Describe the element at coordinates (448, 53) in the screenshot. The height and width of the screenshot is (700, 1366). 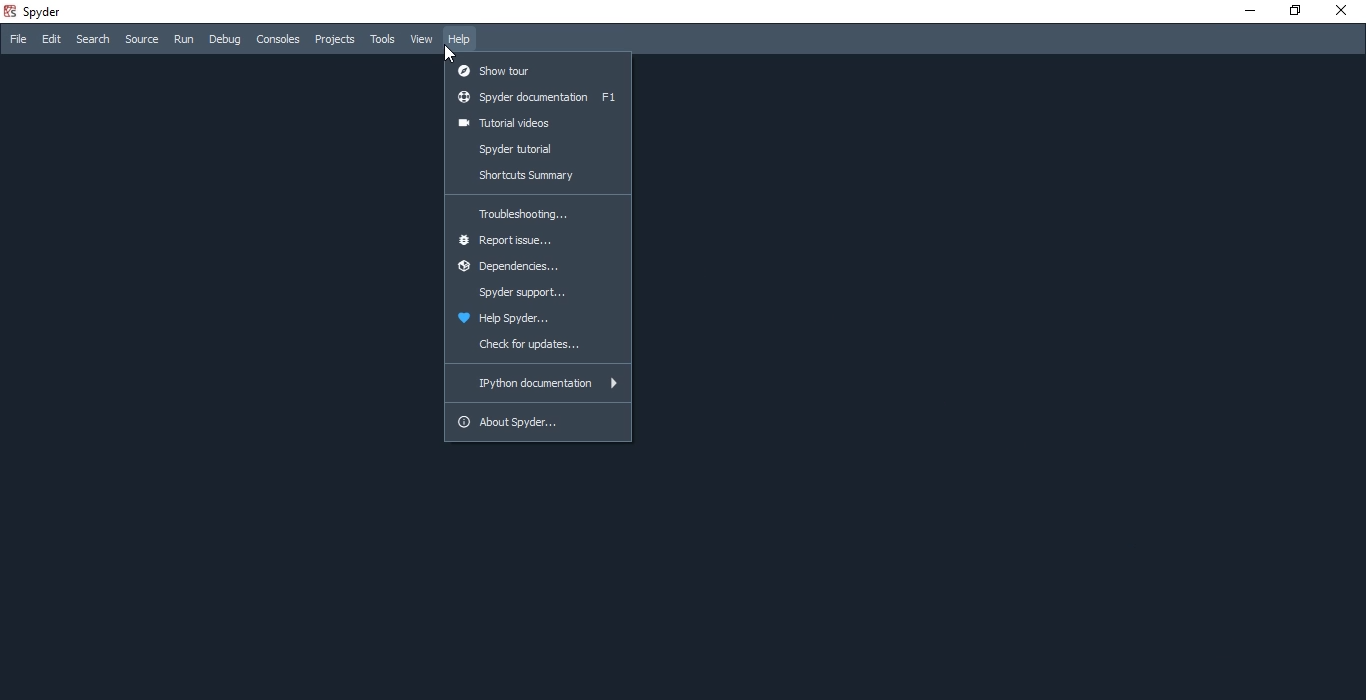
I see `cursor` at that location.